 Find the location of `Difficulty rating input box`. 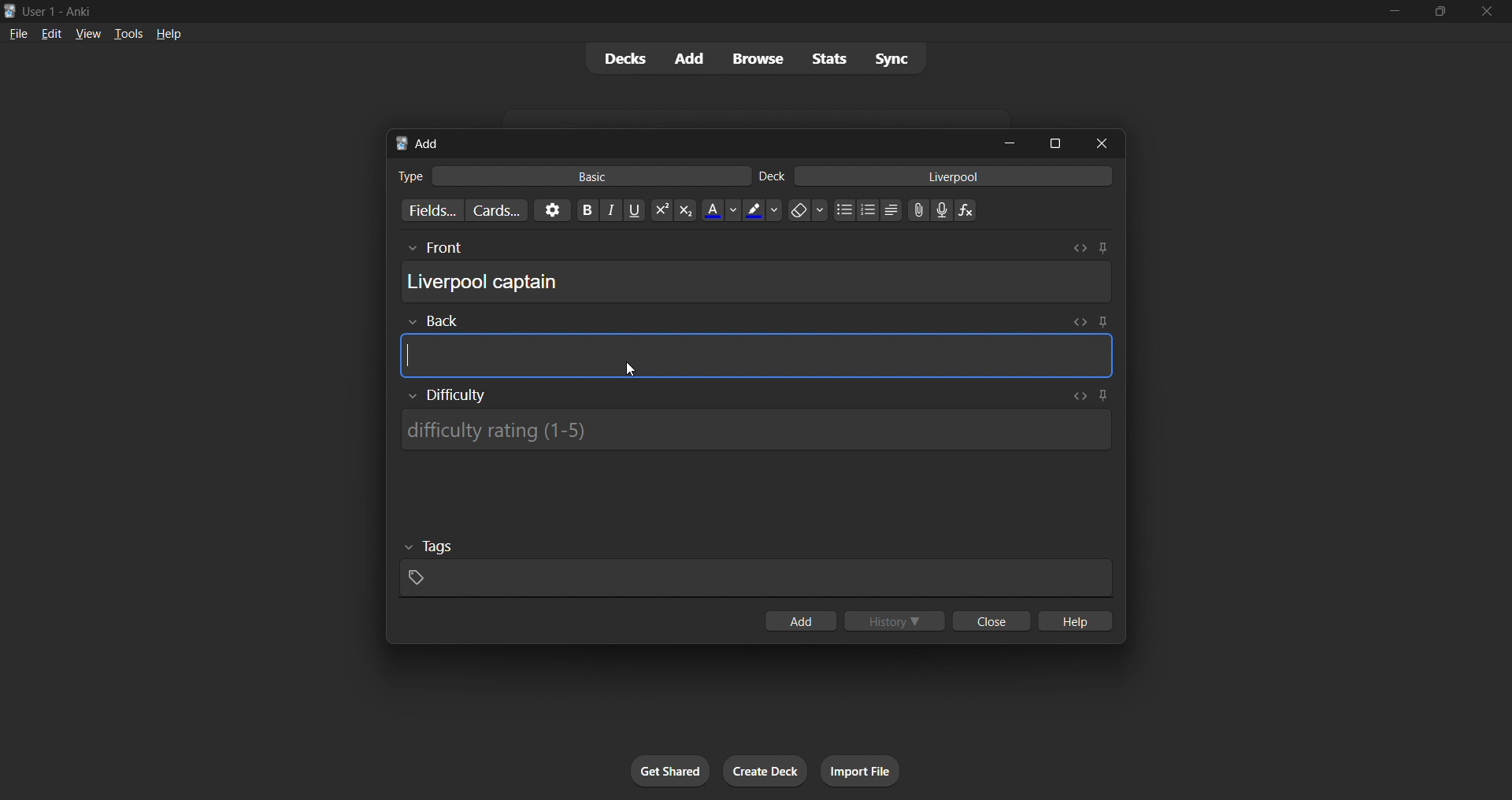

Difficulty rating input box is located at coordinates (755, 430).